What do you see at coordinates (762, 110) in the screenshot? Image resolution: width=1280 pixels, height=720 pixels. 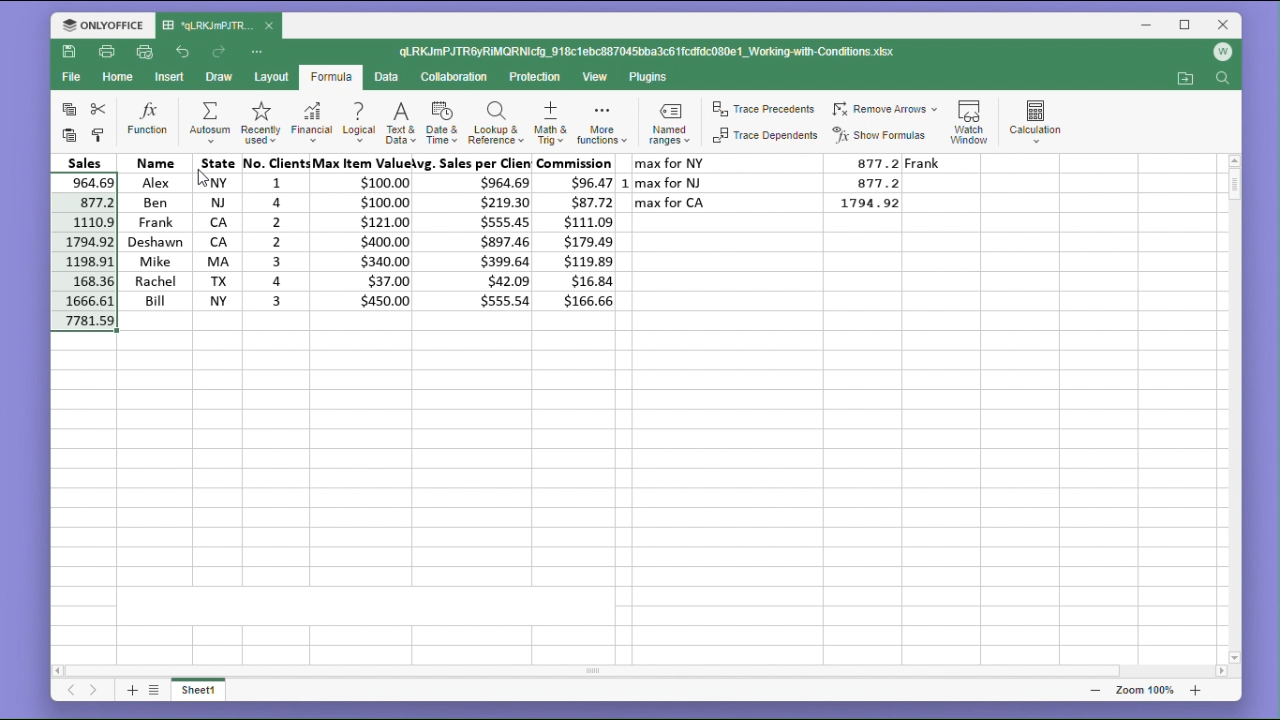 I see `trace predecents` at bounding box center [762, 110].